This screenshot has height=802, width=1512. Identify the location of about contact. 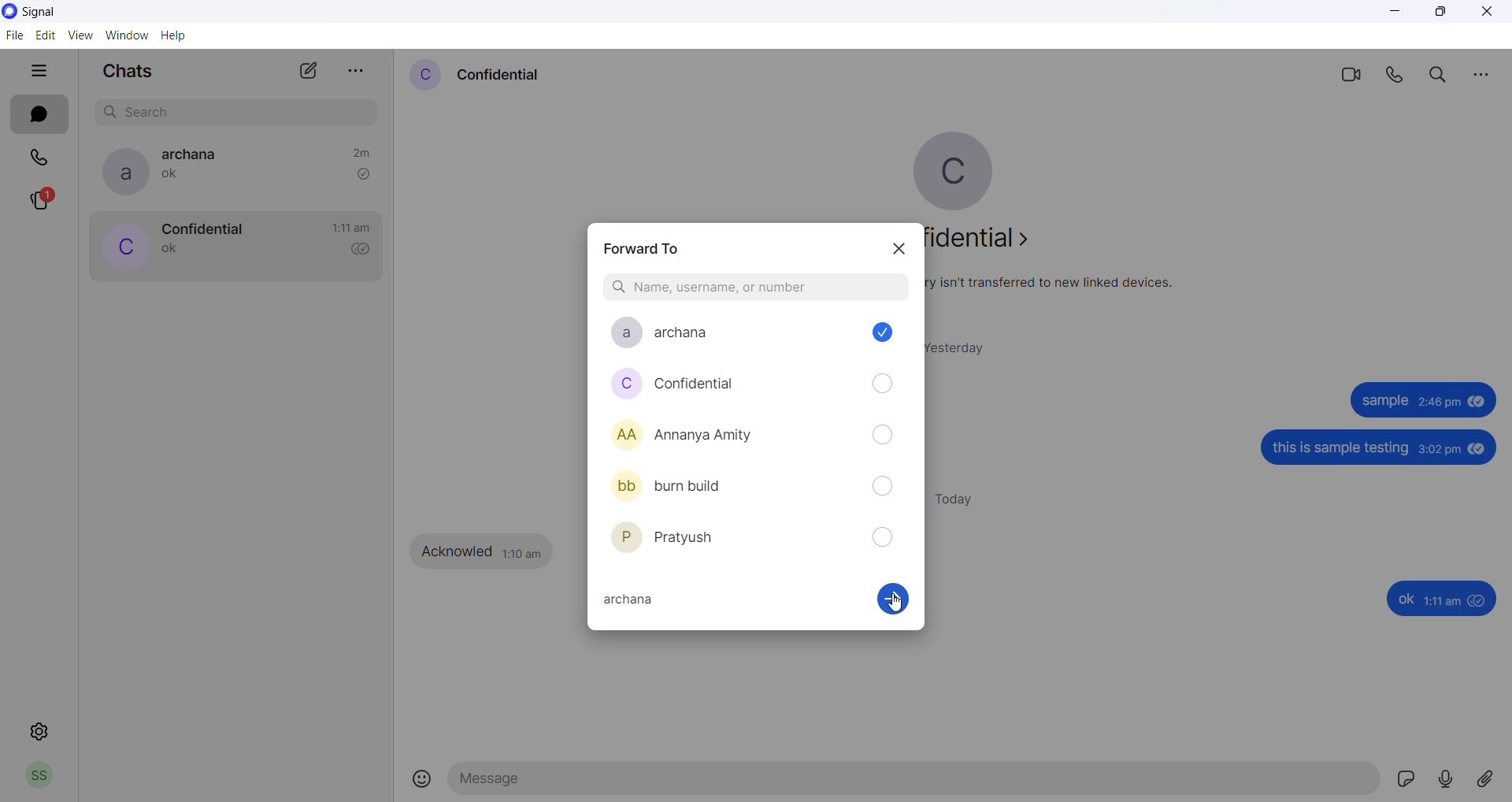
(991, 242).